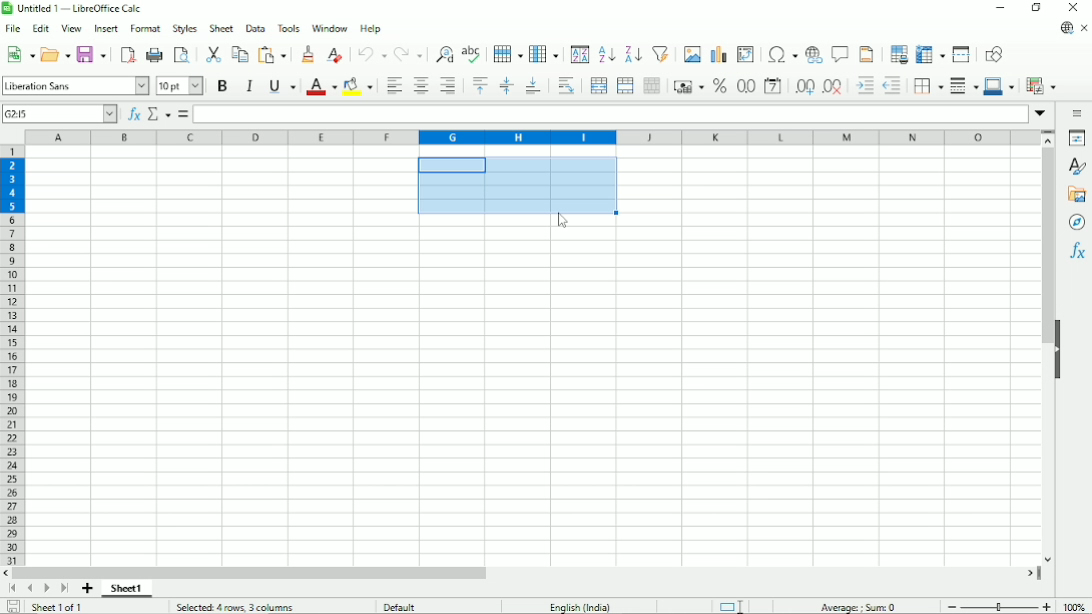  I want to click on Show draw functions, so click(994, 53).